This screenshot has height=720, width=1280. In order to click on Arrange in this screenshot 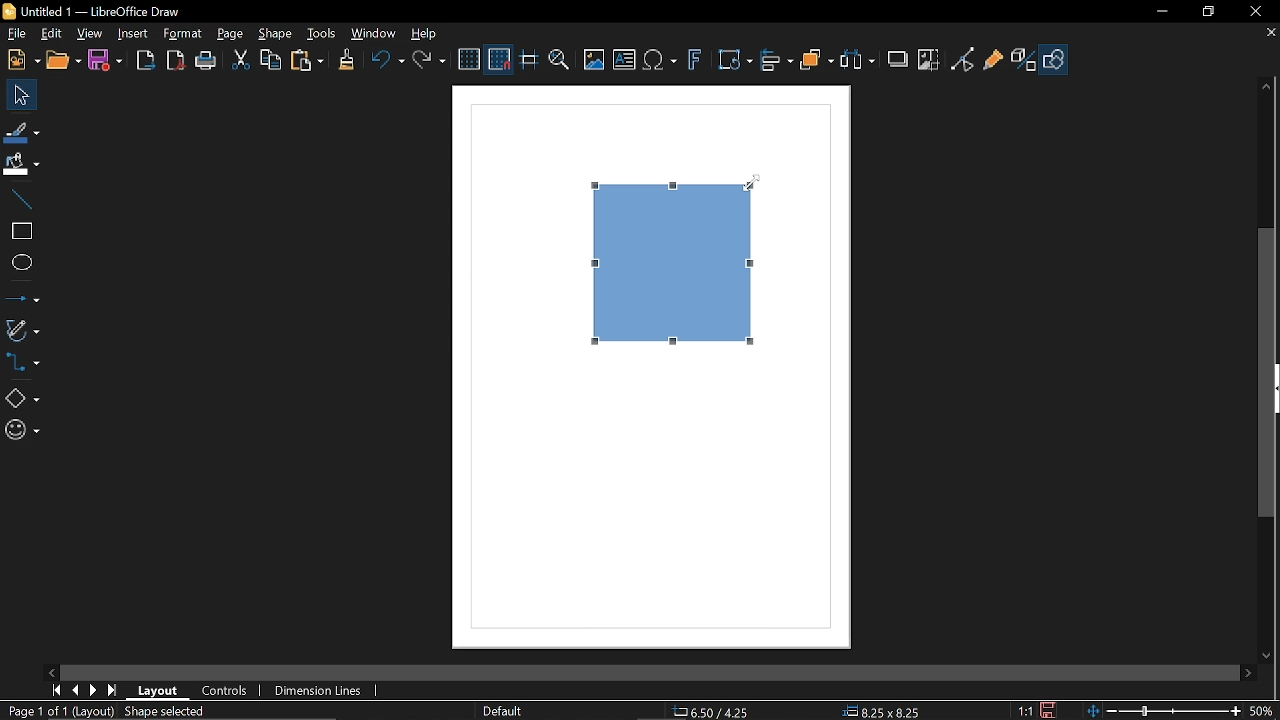, I will do `click(818, 62)`.